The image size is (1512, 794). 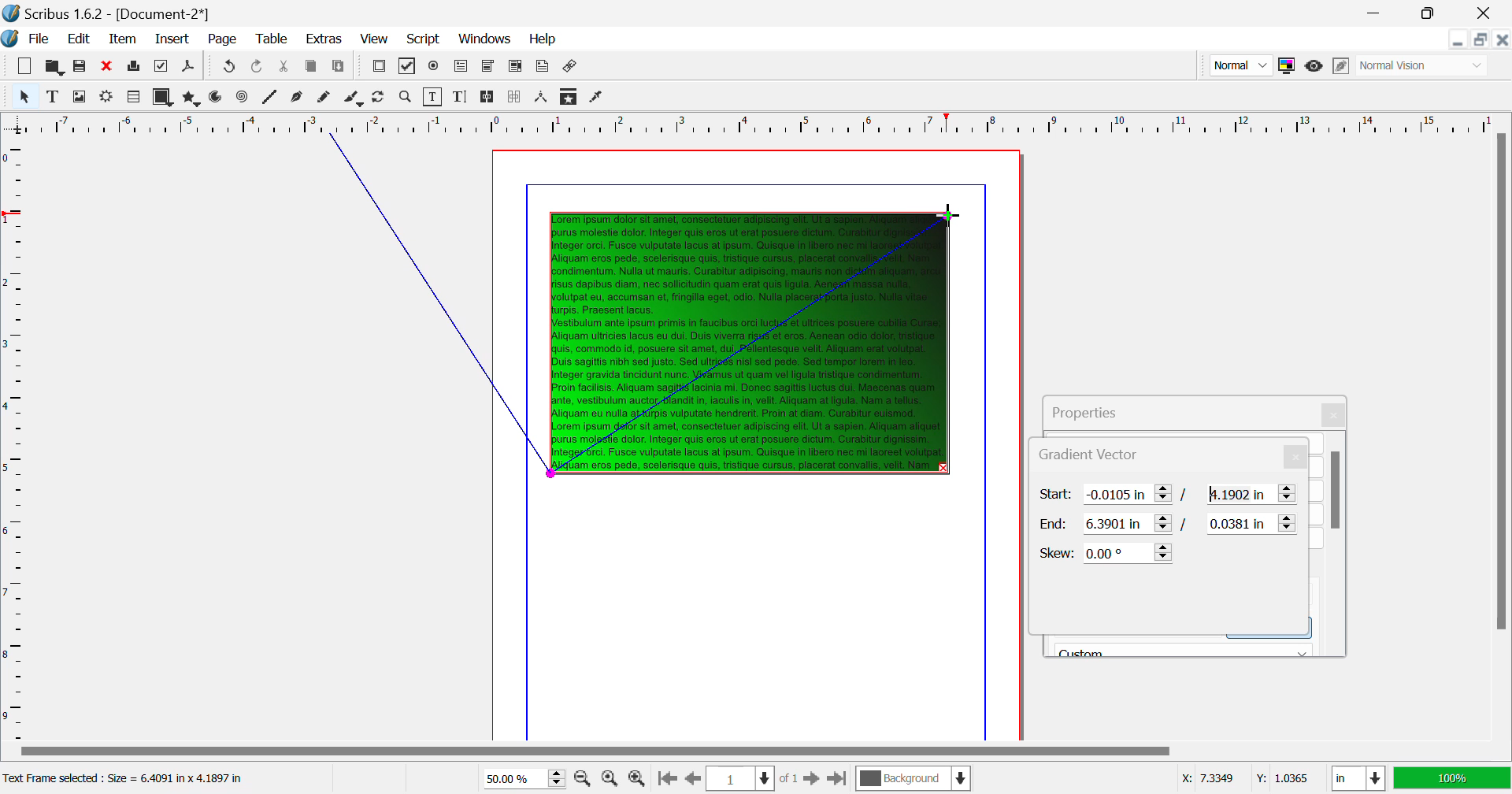 What do you see at coordinates (322, 39) in the screenshot?
I see `Extras` at bounding box center [322, 39].